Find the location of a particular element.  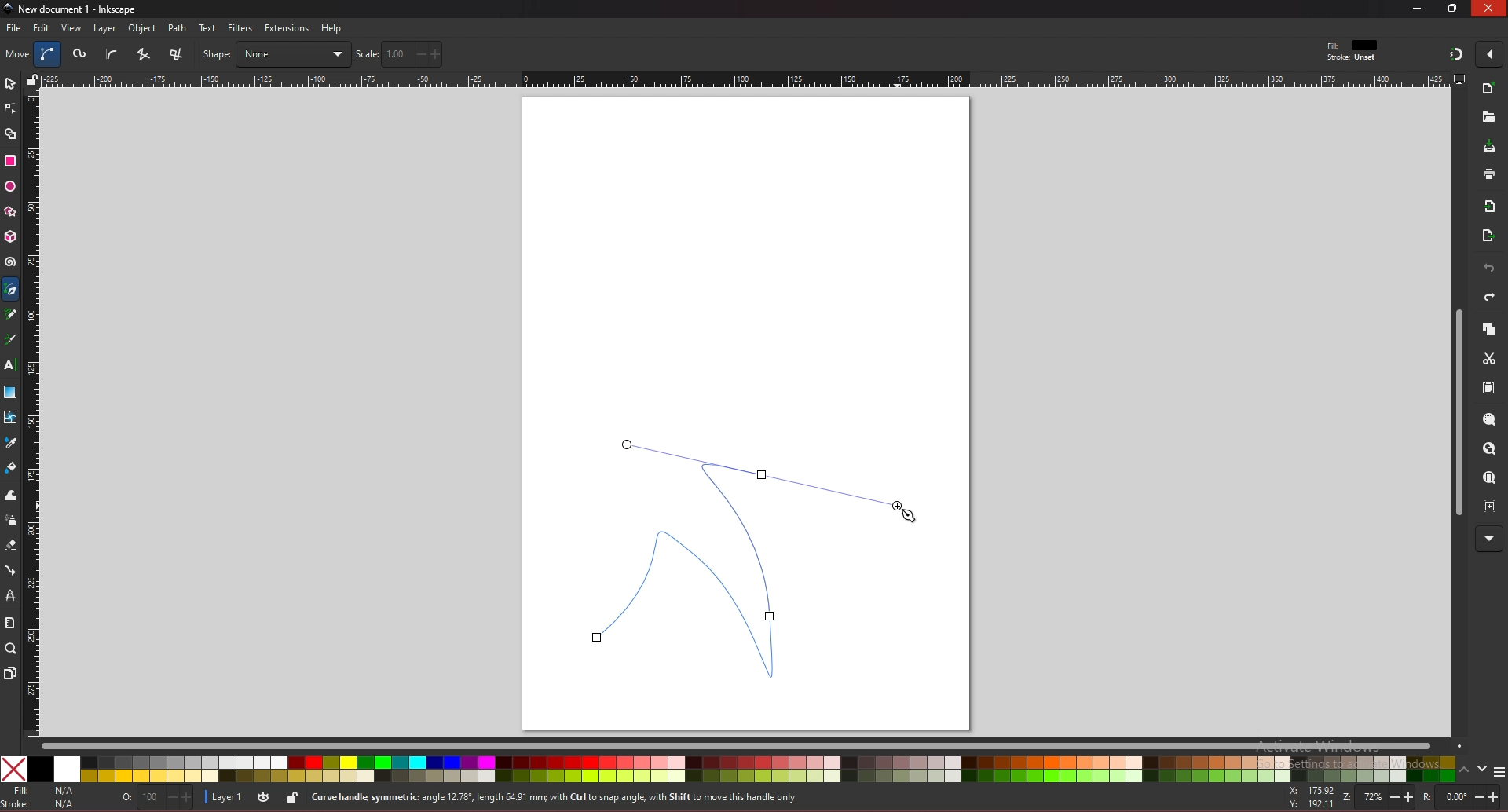

filters is located at coordinates (241, 28).